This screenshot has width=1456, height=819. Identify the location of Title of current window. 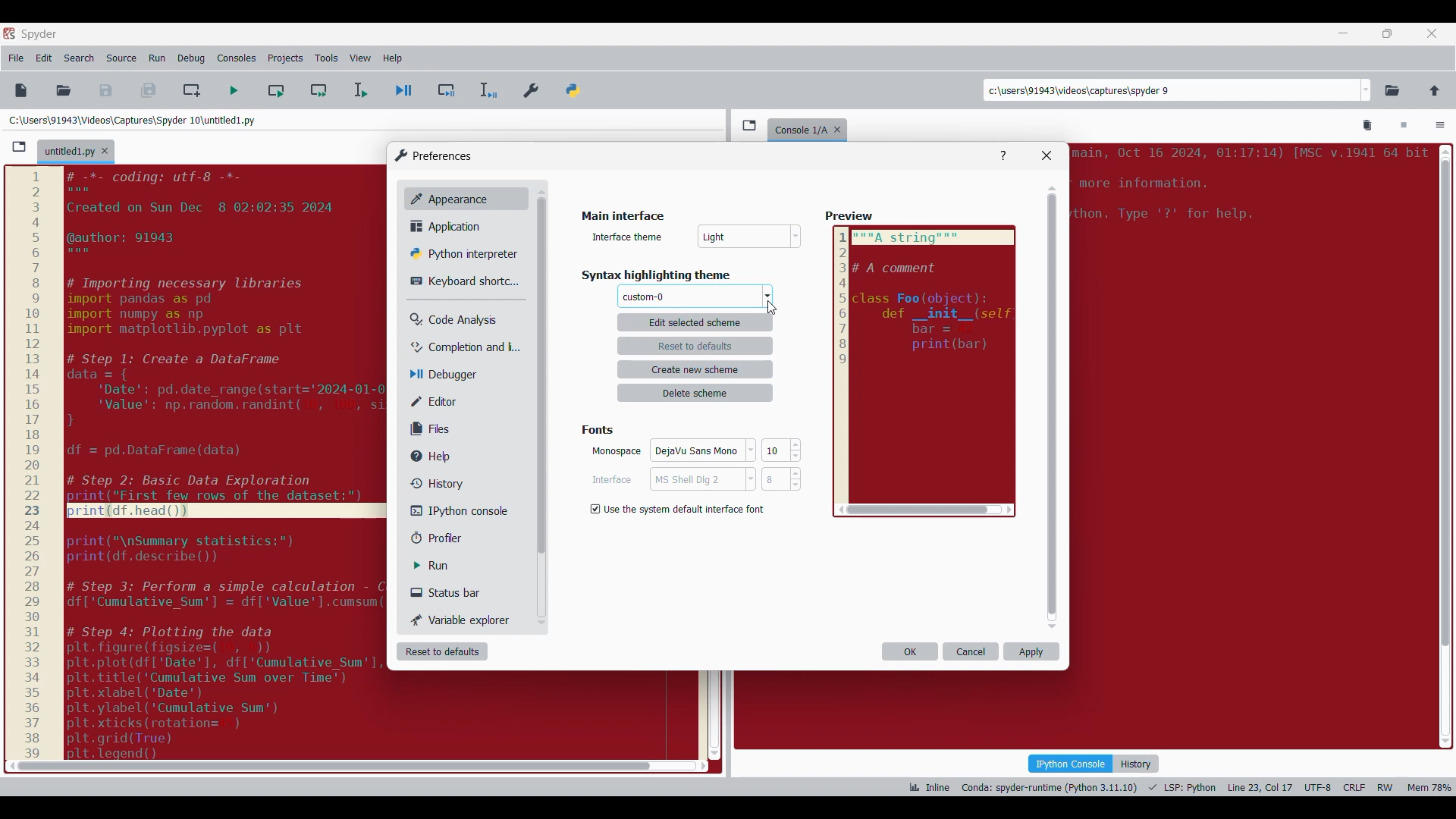
(621, 217).